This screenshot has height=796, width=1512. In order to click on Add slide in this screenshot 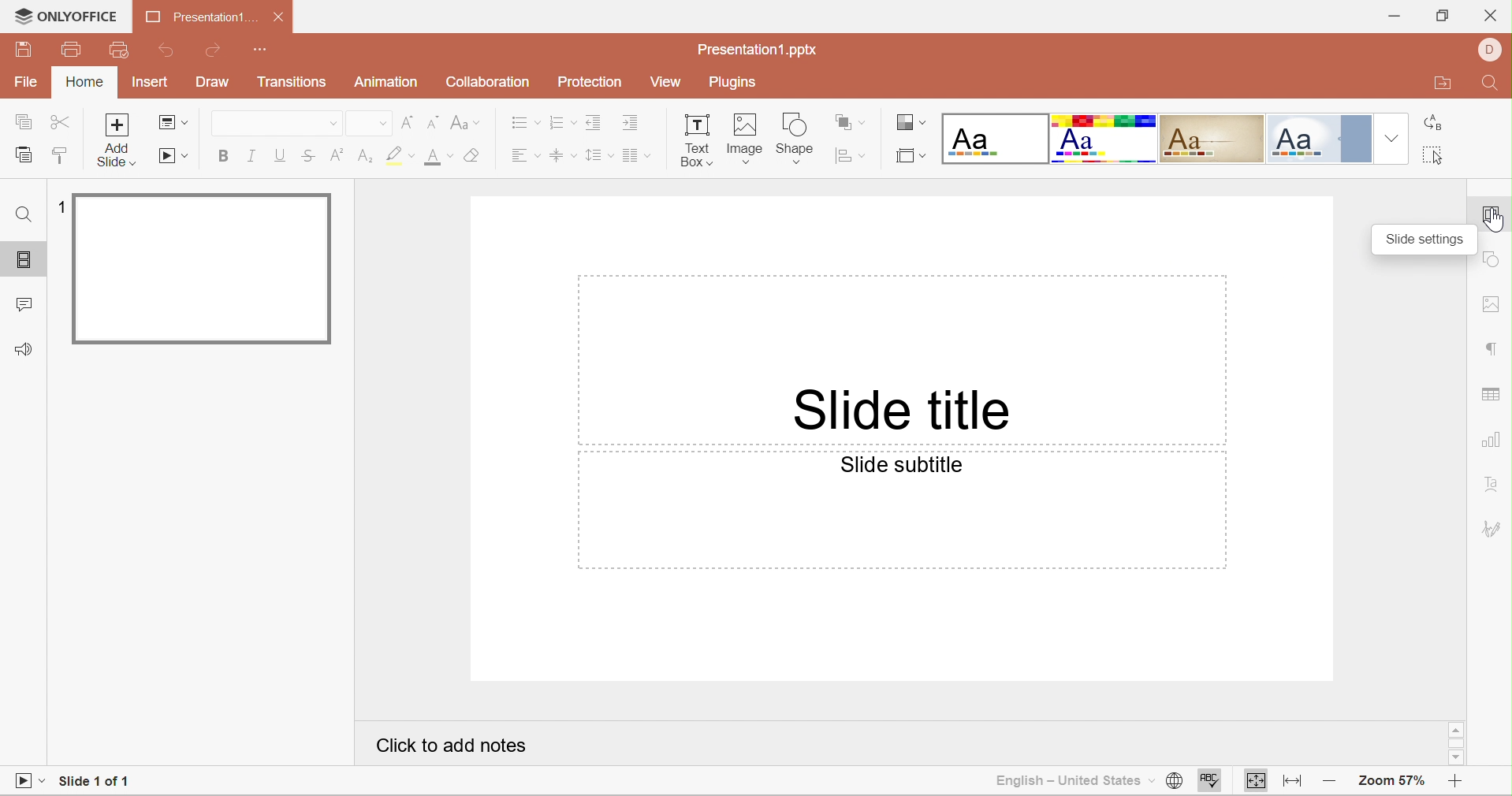, I will do `click(117, 125)`.